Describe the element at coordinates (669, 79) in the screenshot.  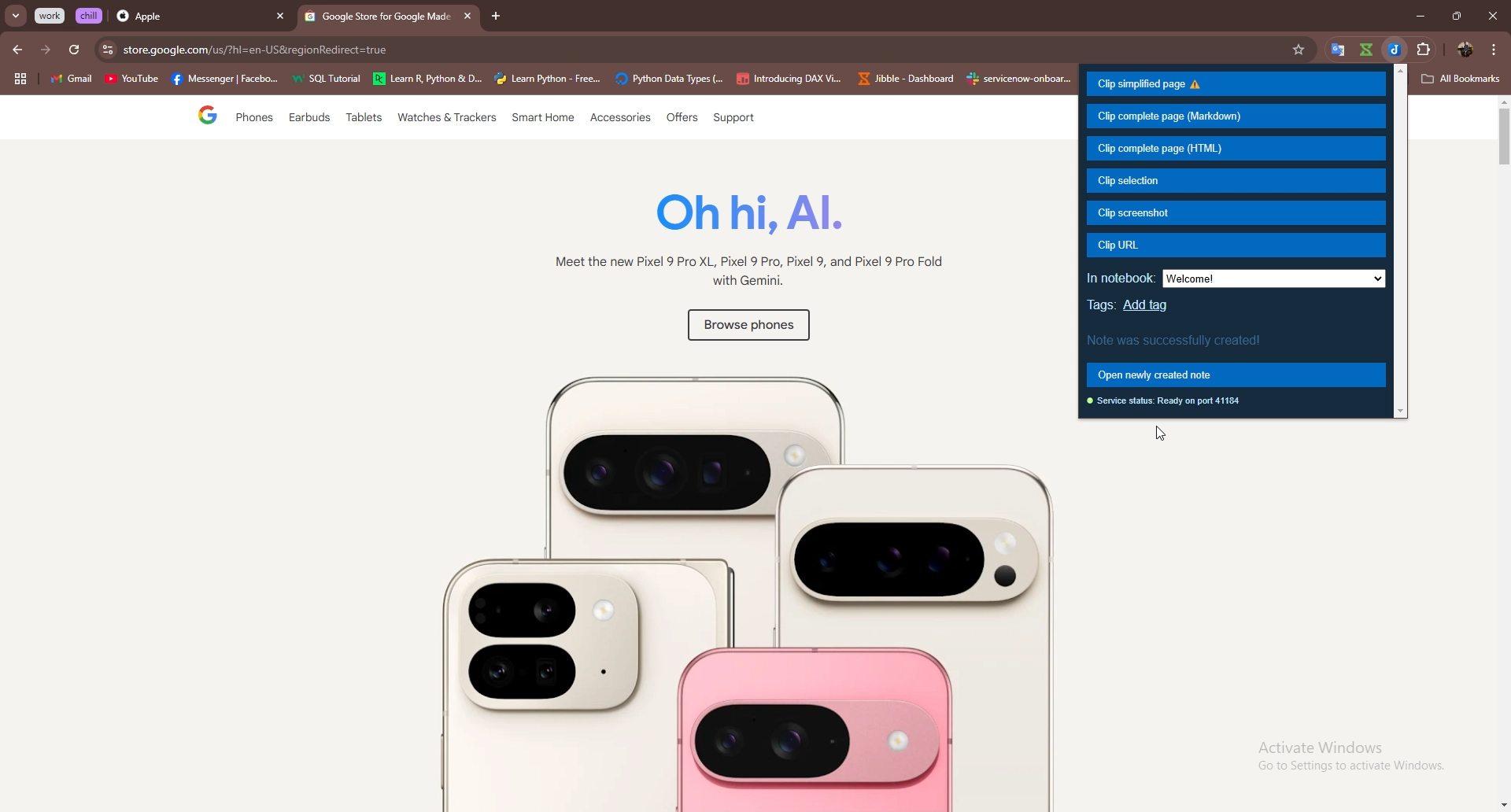
I see `Phyton Data Types(...` at that location.